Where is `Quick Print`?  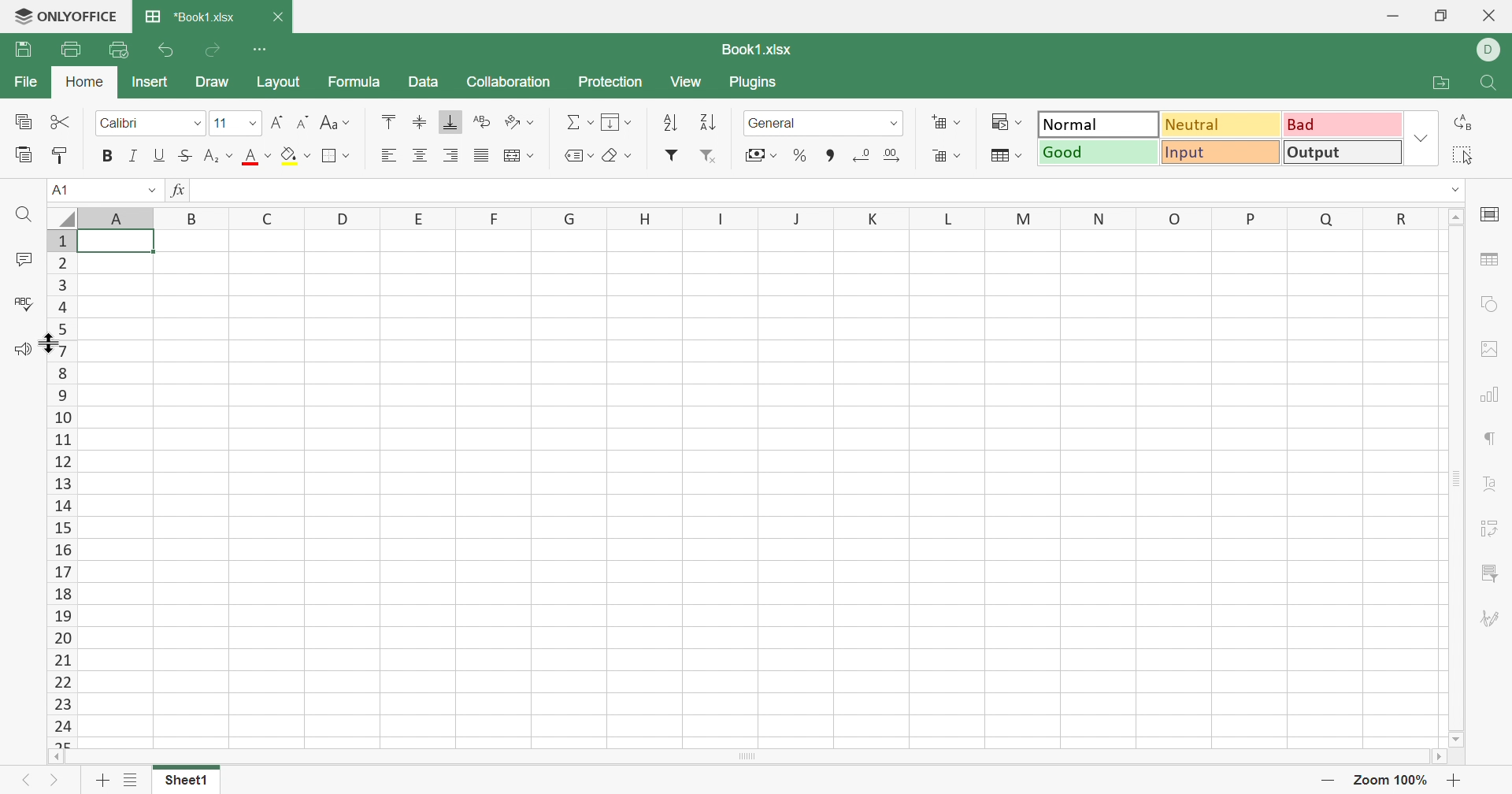
Quick Print is located at coordinates (120, 48).